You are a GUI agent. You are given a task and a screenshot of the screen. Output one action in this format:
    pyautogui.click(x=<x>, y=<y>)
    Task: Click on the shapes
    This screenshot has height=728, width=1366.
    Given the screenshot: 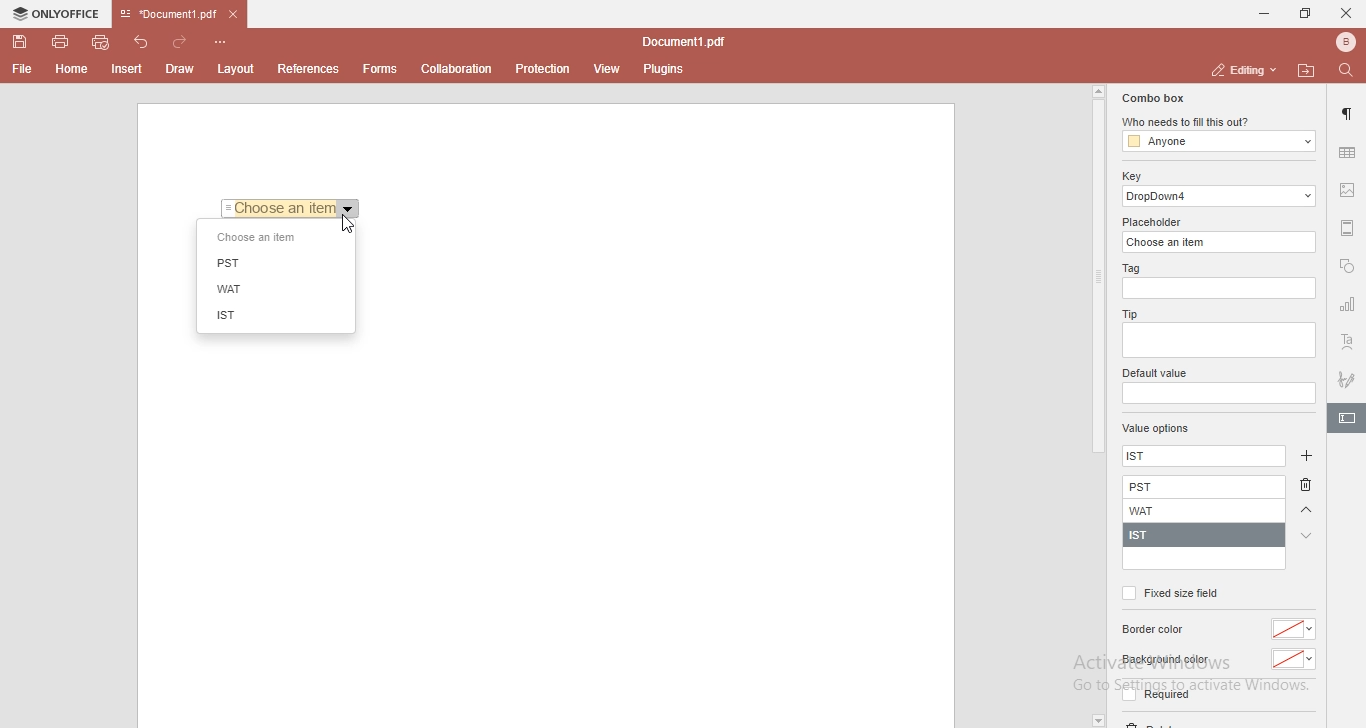 What is the action you would take?
    pyautogui.click(x=1347, y=268)
    